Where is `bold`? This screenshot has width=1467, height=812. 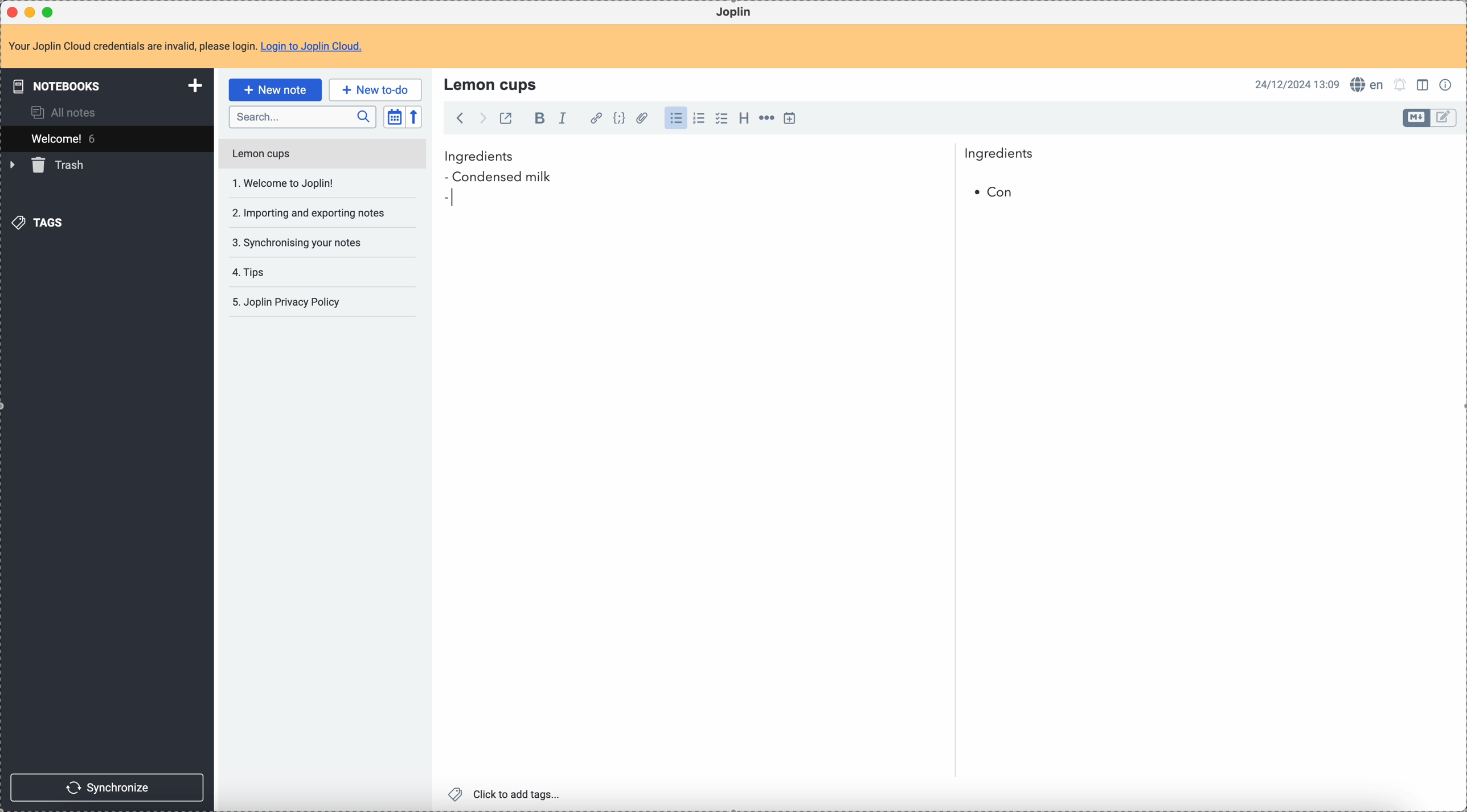 bold is located at coordinates (536, 119).